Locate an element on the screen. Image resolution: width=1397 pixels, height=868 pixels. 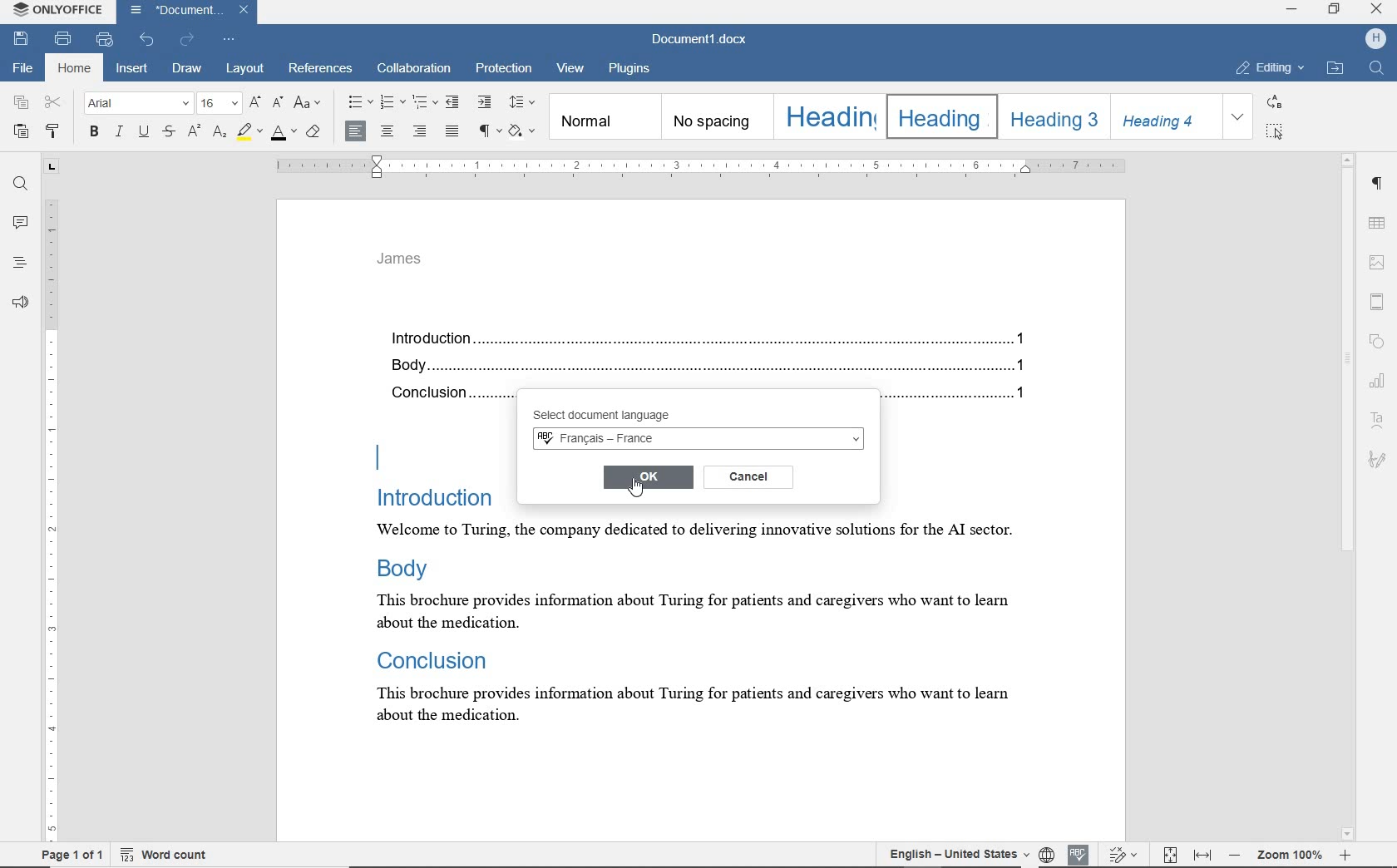
Heading 1 is located at coordinates (827, 116).